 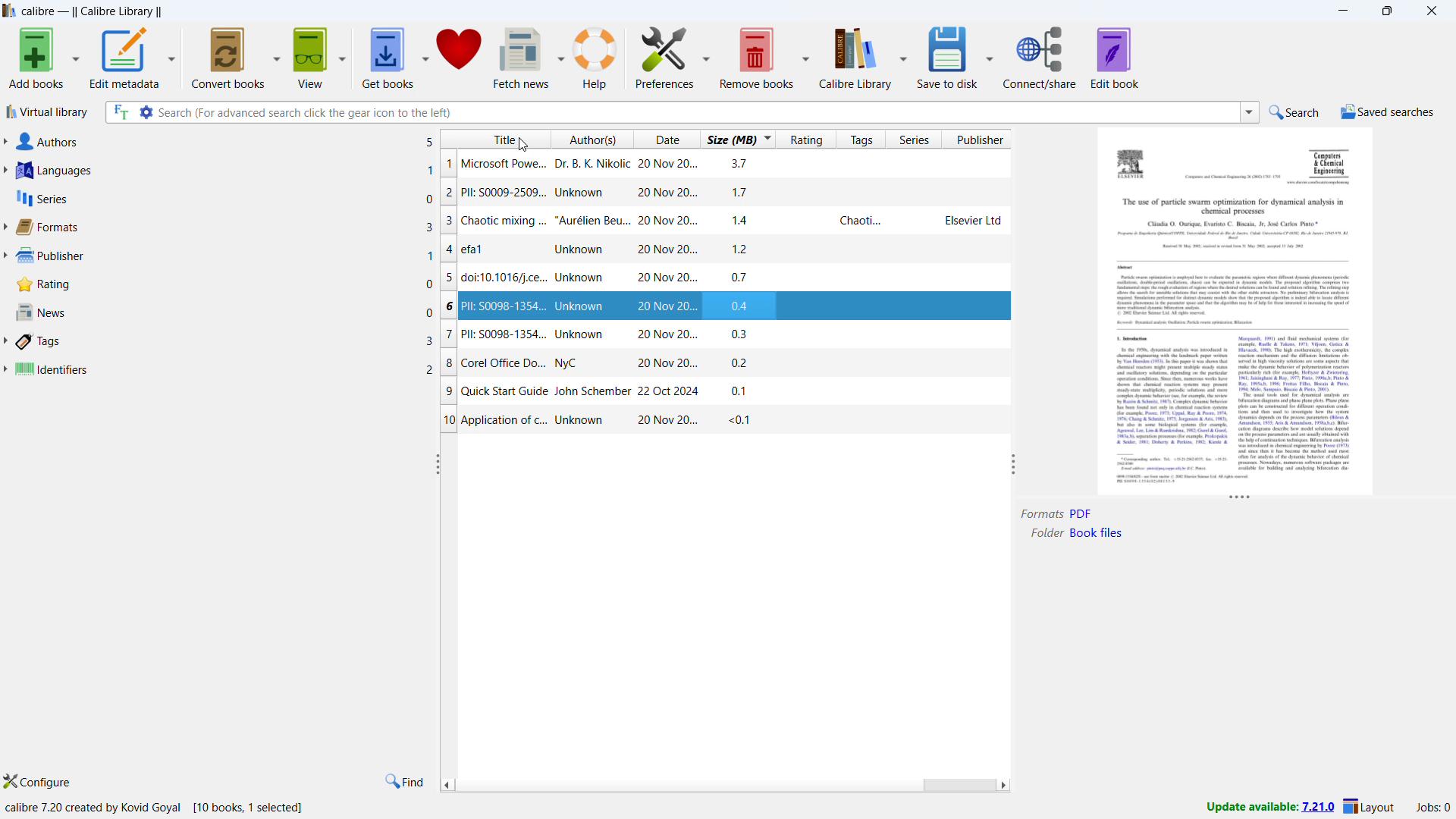 I want to click on Calibre - || Calibre Library ||, so click(x=93, y=11).